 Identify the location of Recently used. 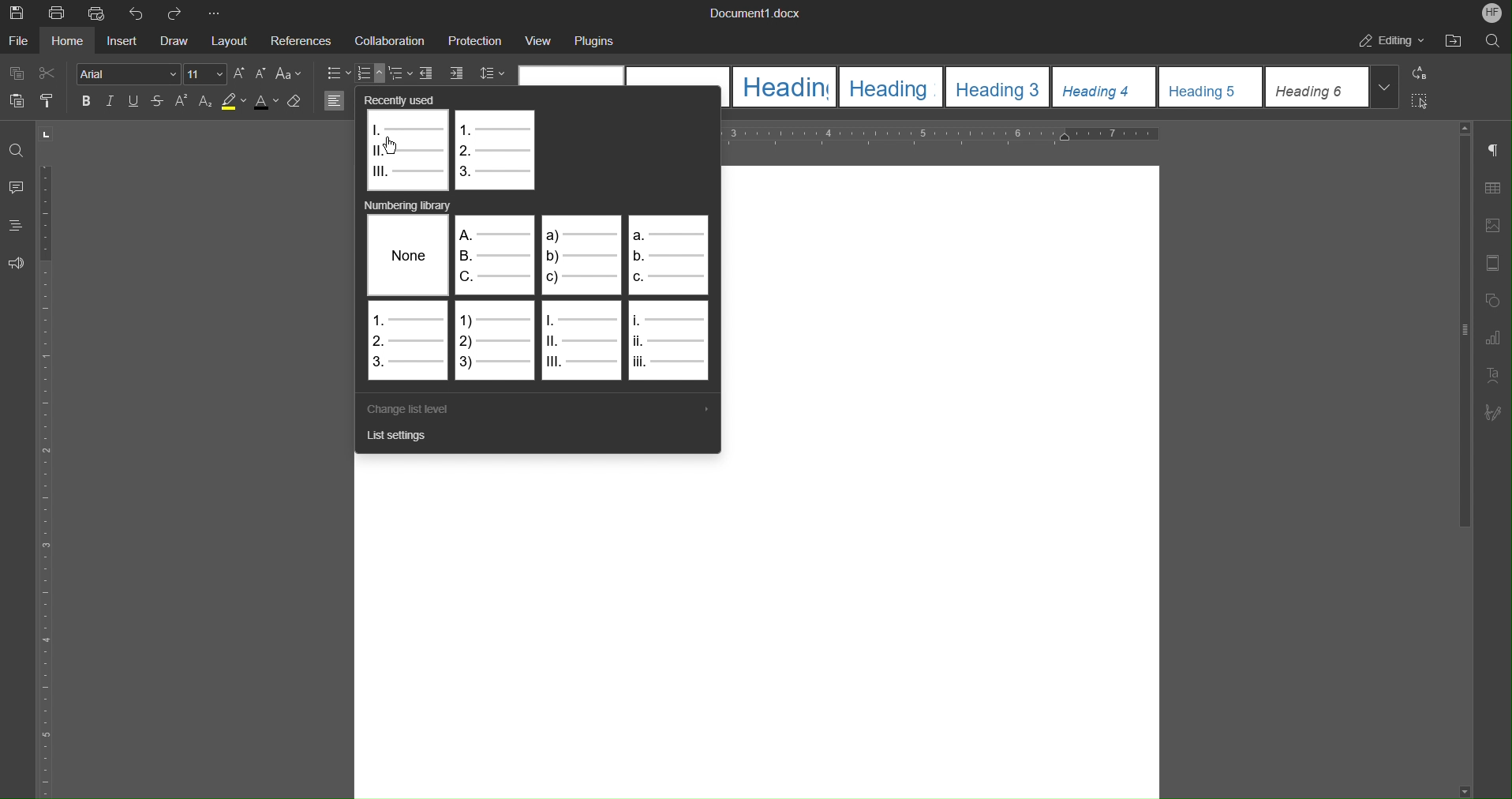
(401, 99).